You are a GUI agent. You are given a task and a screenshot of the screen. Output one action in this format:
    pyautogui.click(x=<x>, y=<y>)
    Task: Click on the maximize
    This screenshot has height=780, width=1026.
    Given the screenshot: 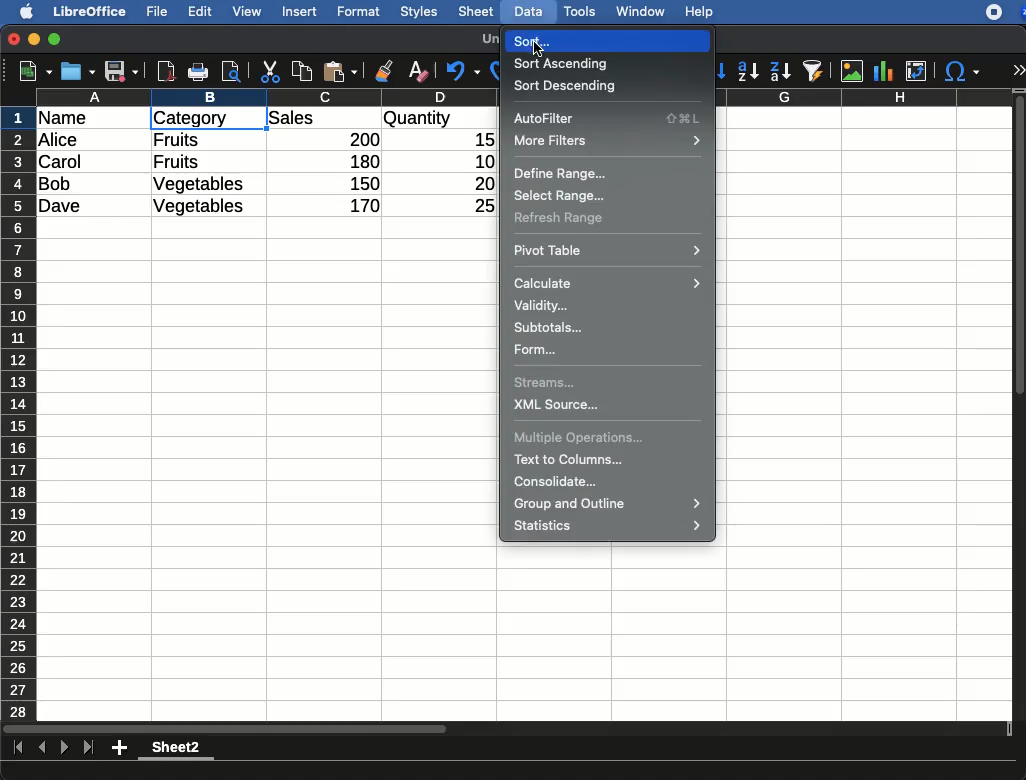 What is the action you would take?
    pyautogui.click(x=57, y=40)
    